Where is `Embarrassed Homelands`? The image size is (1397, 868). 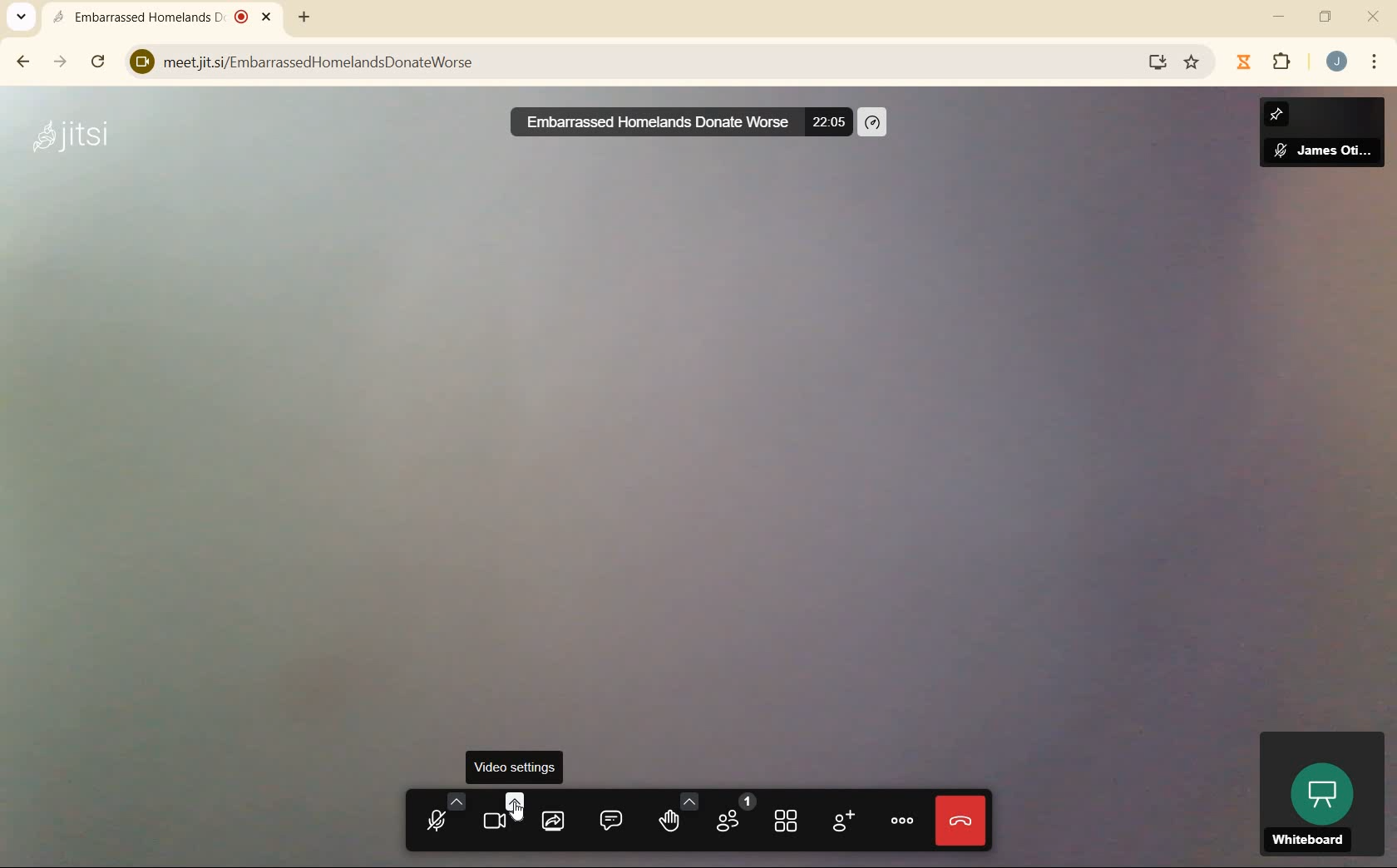
Embarrassed Homelands is located at coordinates (160, 16).